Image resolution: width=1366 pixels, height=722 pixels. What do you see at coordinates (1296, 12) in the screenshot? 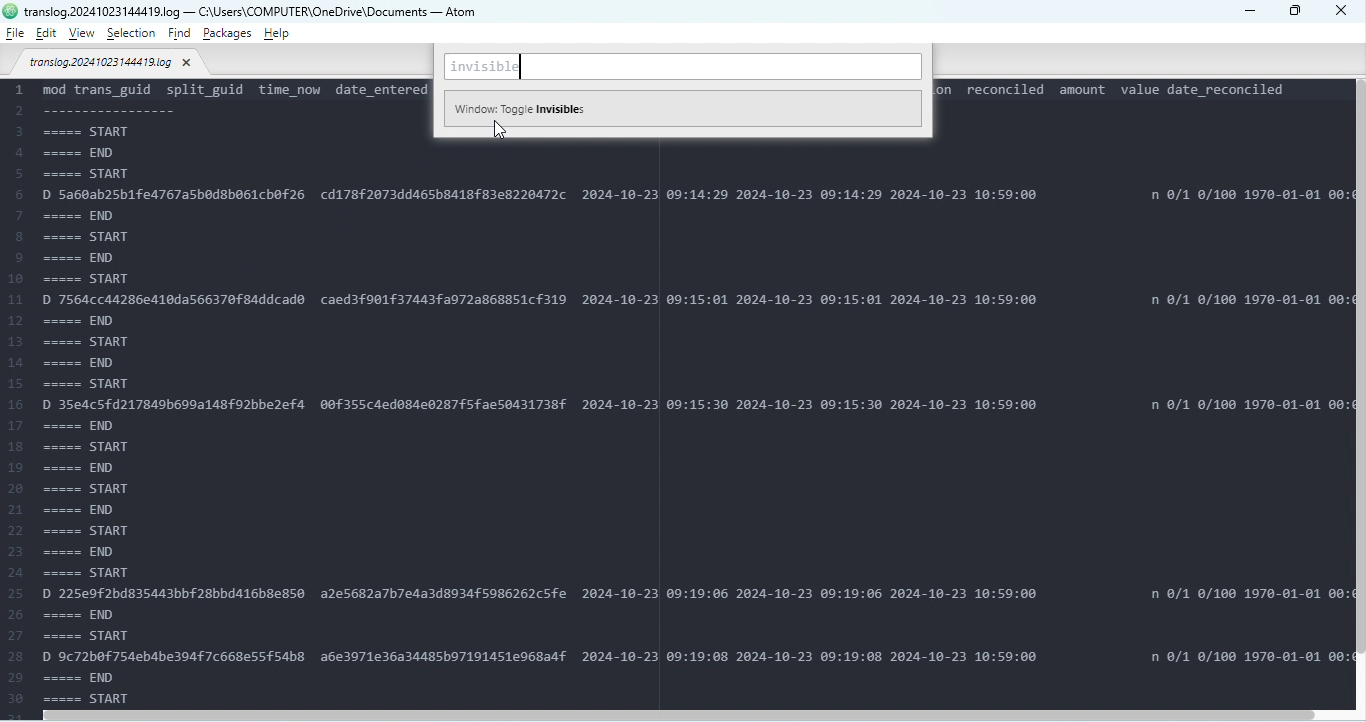
I see `Maximize` at bounding box center [1296, 12].